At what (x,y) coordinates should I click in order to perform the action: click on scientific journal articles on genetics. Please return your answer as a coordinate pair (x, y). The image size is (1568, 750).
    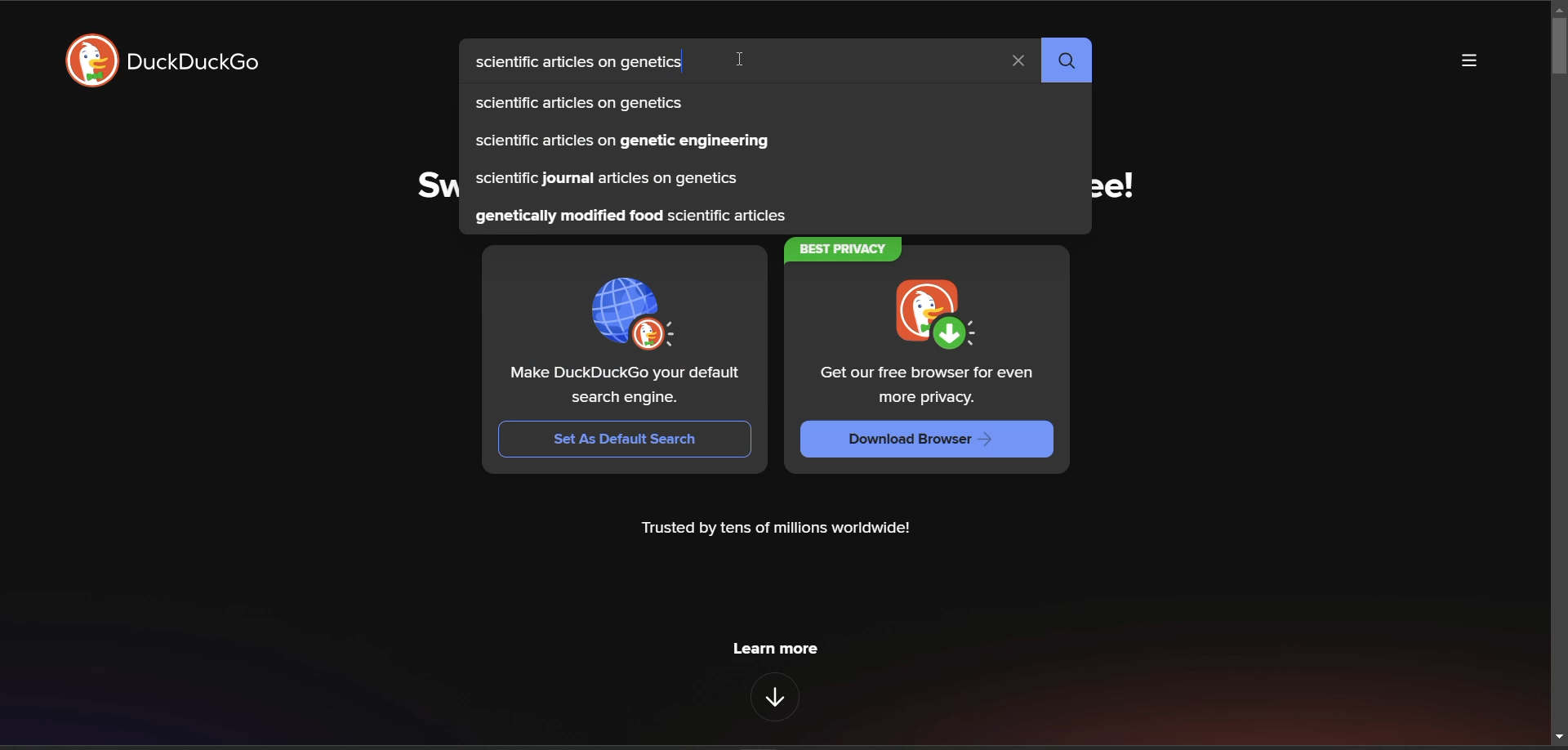
    Looking at the image, I should click on (611, 181).